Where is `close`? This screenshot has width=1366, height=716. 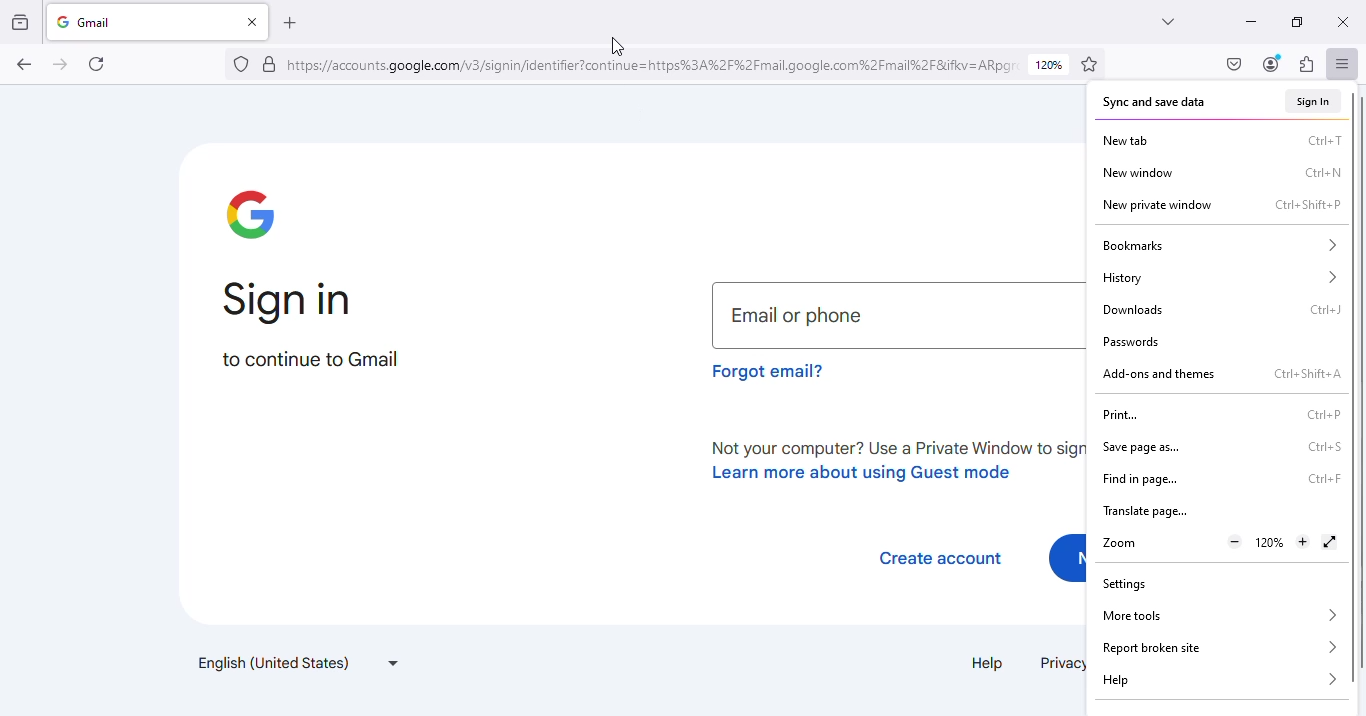 close is located at coordinates (1342, 23).